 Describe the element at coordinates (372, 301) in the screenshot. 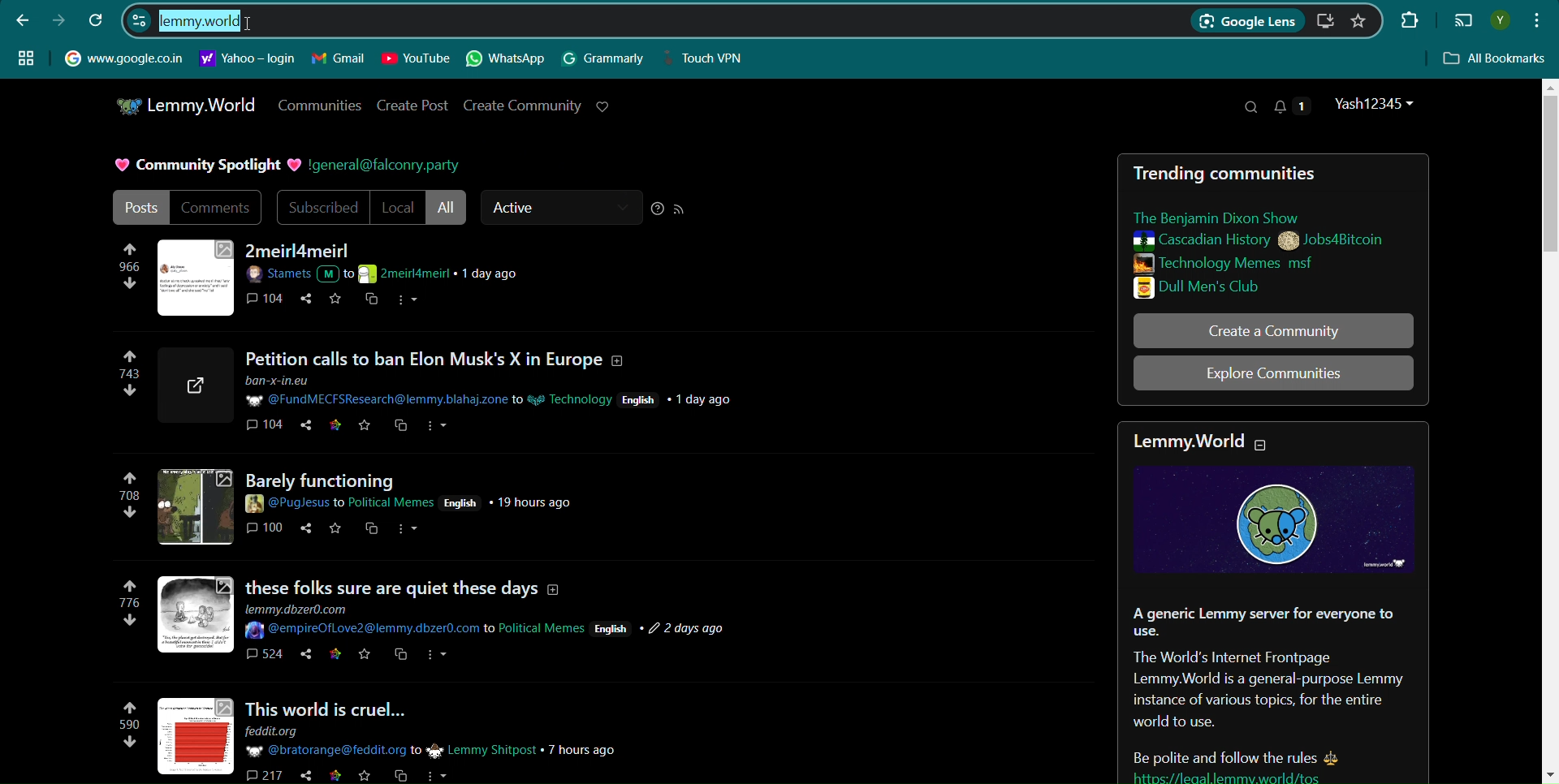

I see `copy` at that location.